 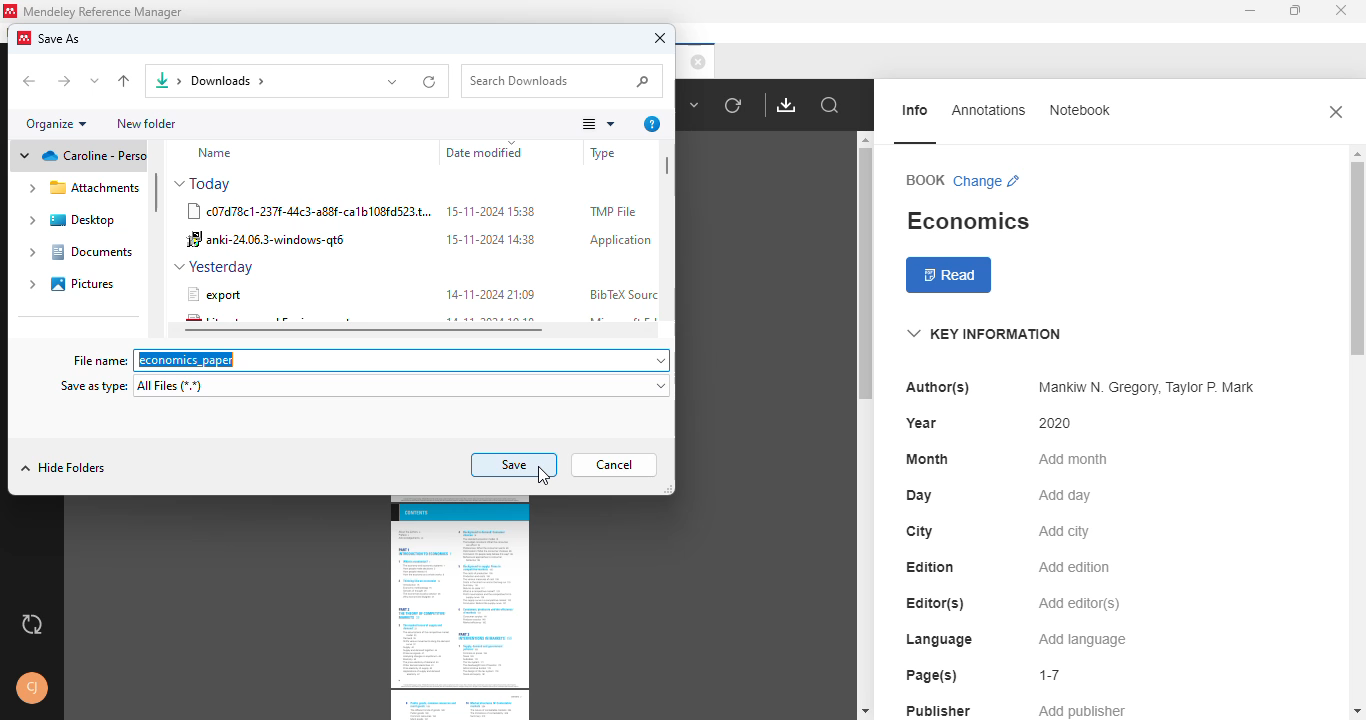 I want to click on day, so click(x=919, y=496).